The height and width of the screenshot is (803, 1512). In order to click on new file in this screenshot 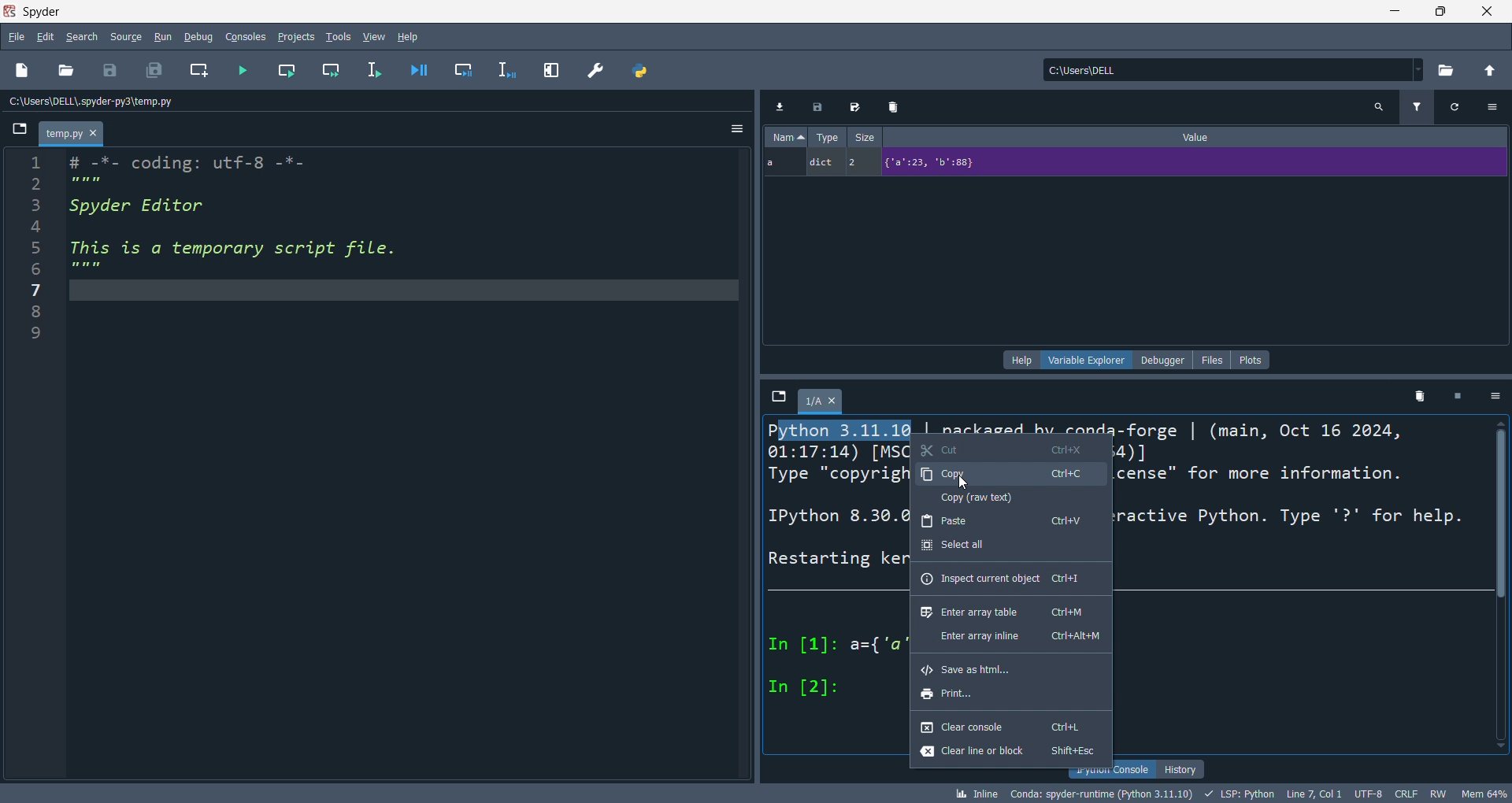, I will do `click(23, 68)`.